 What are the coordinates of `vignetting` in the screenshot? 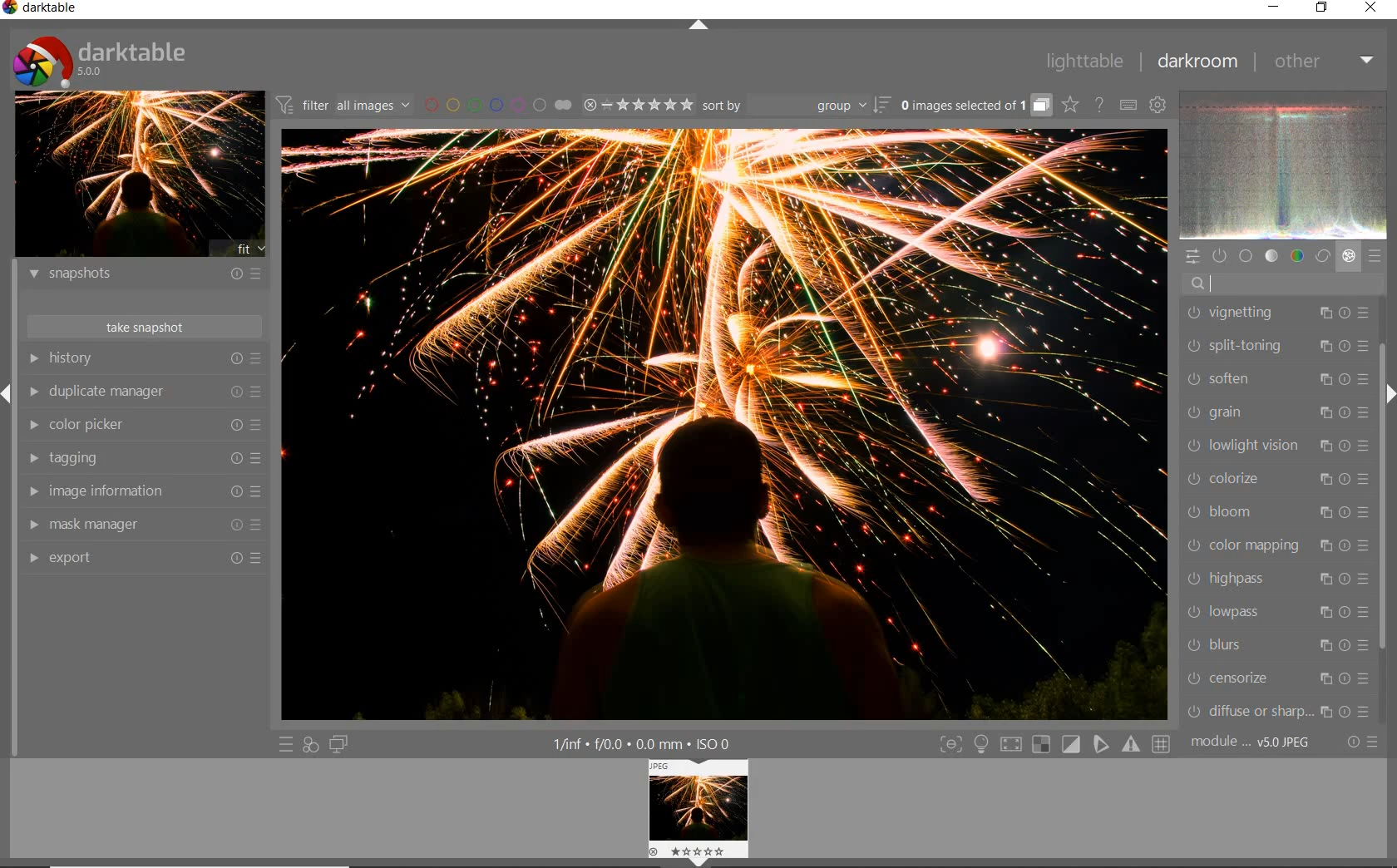 It's located at (1279, 313).